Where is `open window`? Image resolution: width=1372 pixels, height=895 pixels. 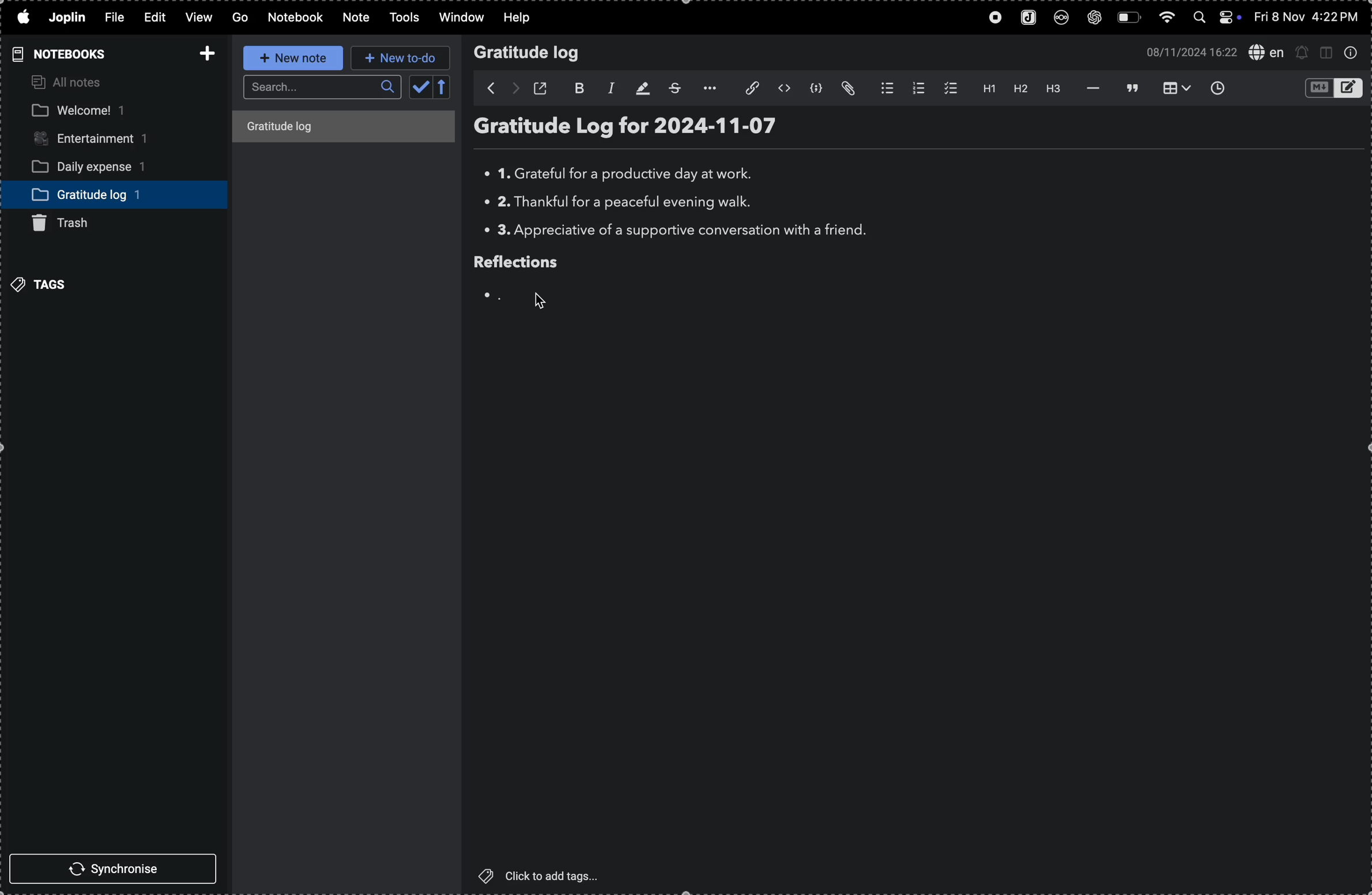 open window is located at coordinates (542, 88).